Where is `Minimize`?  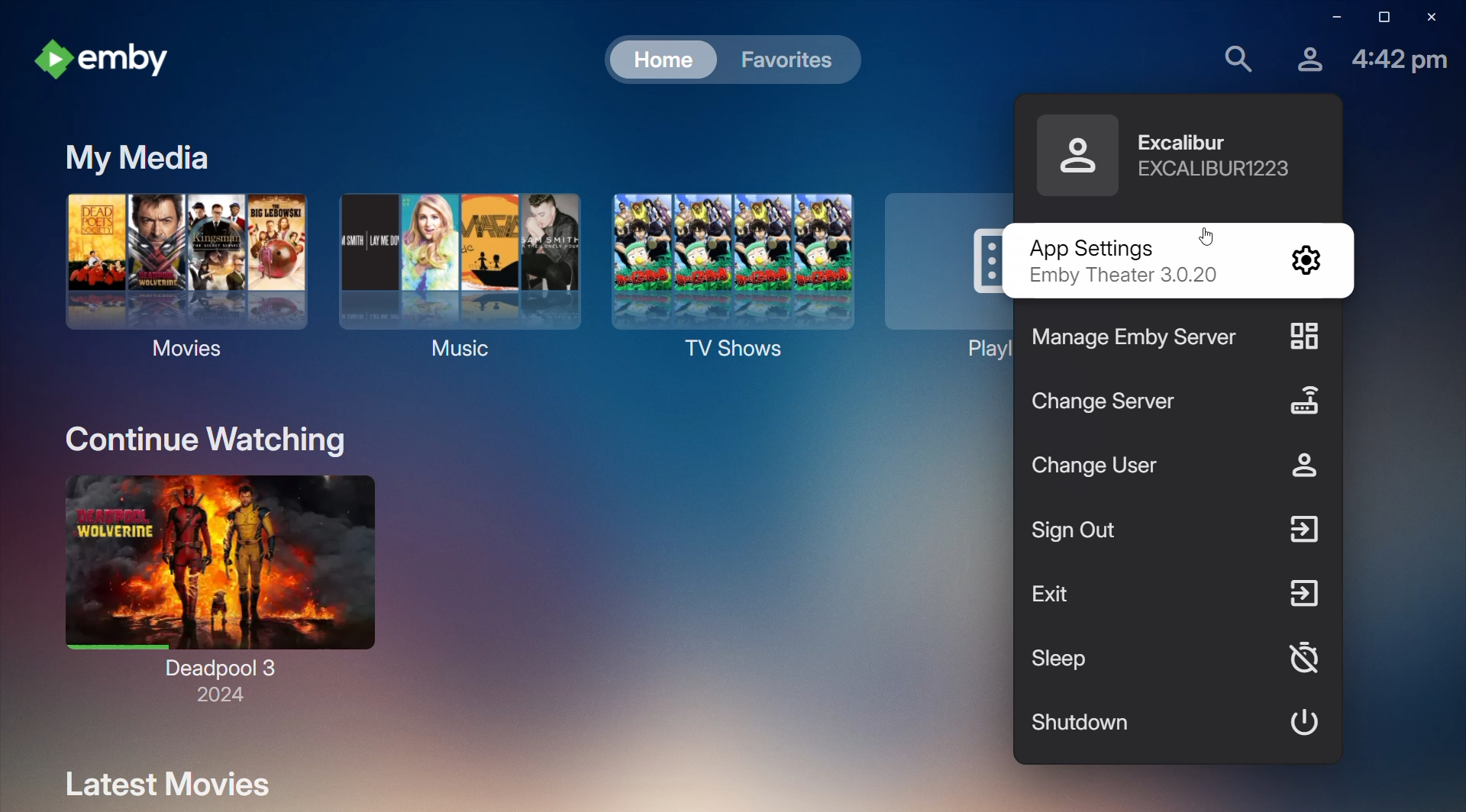
Minimize is located at coordinates (1331, 19).